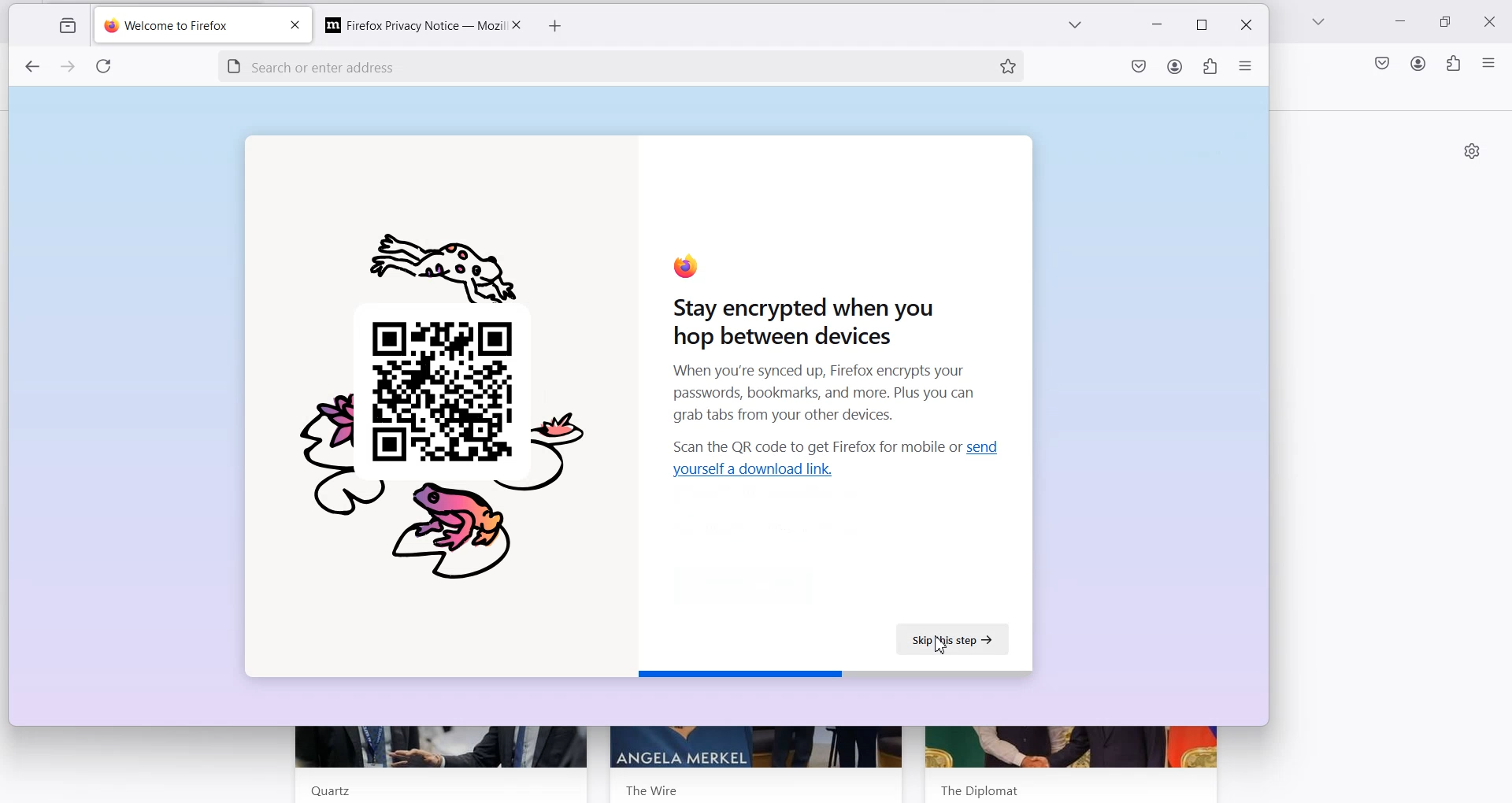 Image resolution: width=1512 pixels, height=803 pixels. Describe the element at coordinates (682, 267) in the screenshot. I see `firefox logo` at that location.